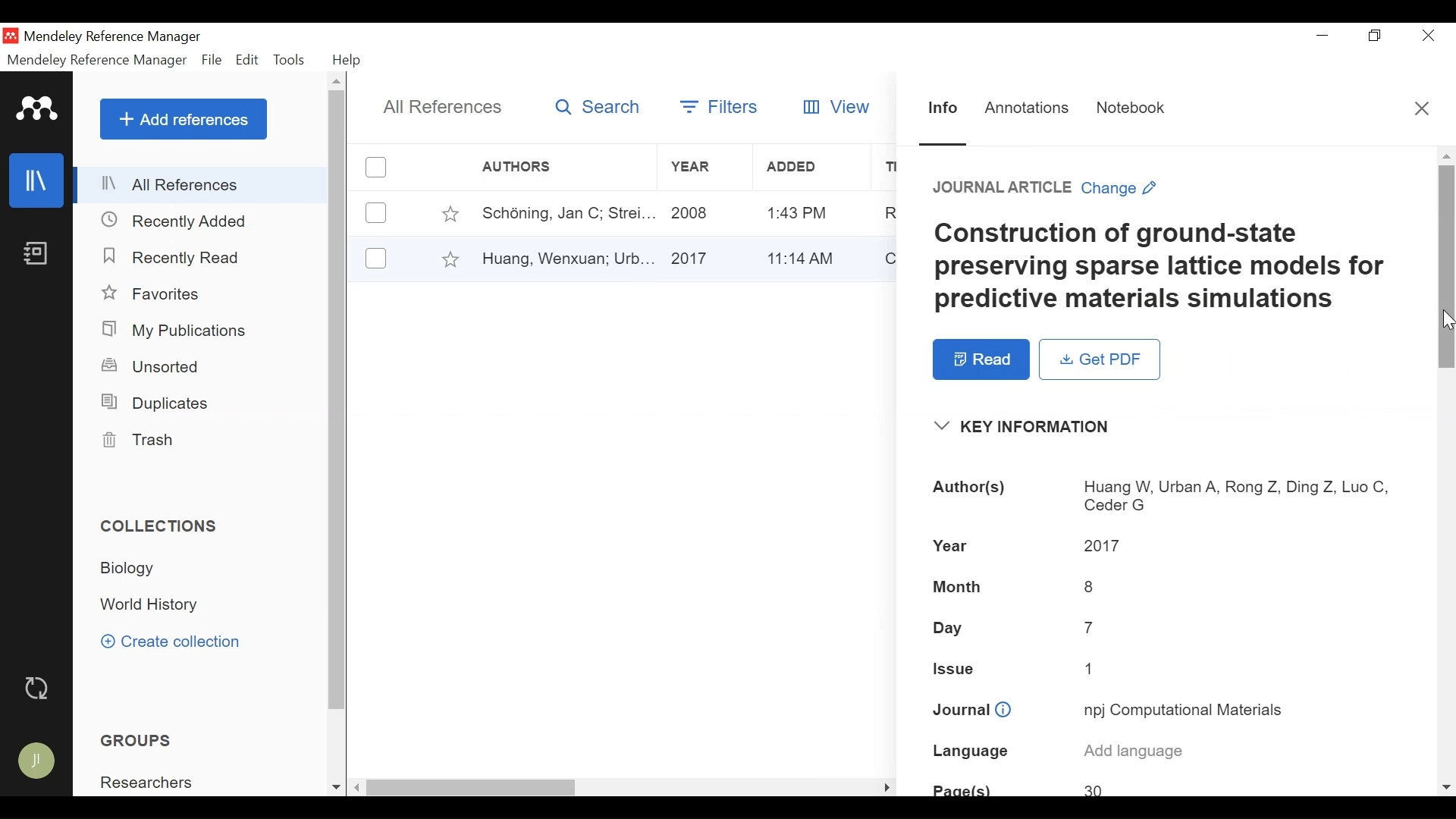 This screenshot has width=1456, height=819. What do you see at coordinates (176, 222) in the screenshot?
I see `Recently Added` at bounding box center [176, 222].